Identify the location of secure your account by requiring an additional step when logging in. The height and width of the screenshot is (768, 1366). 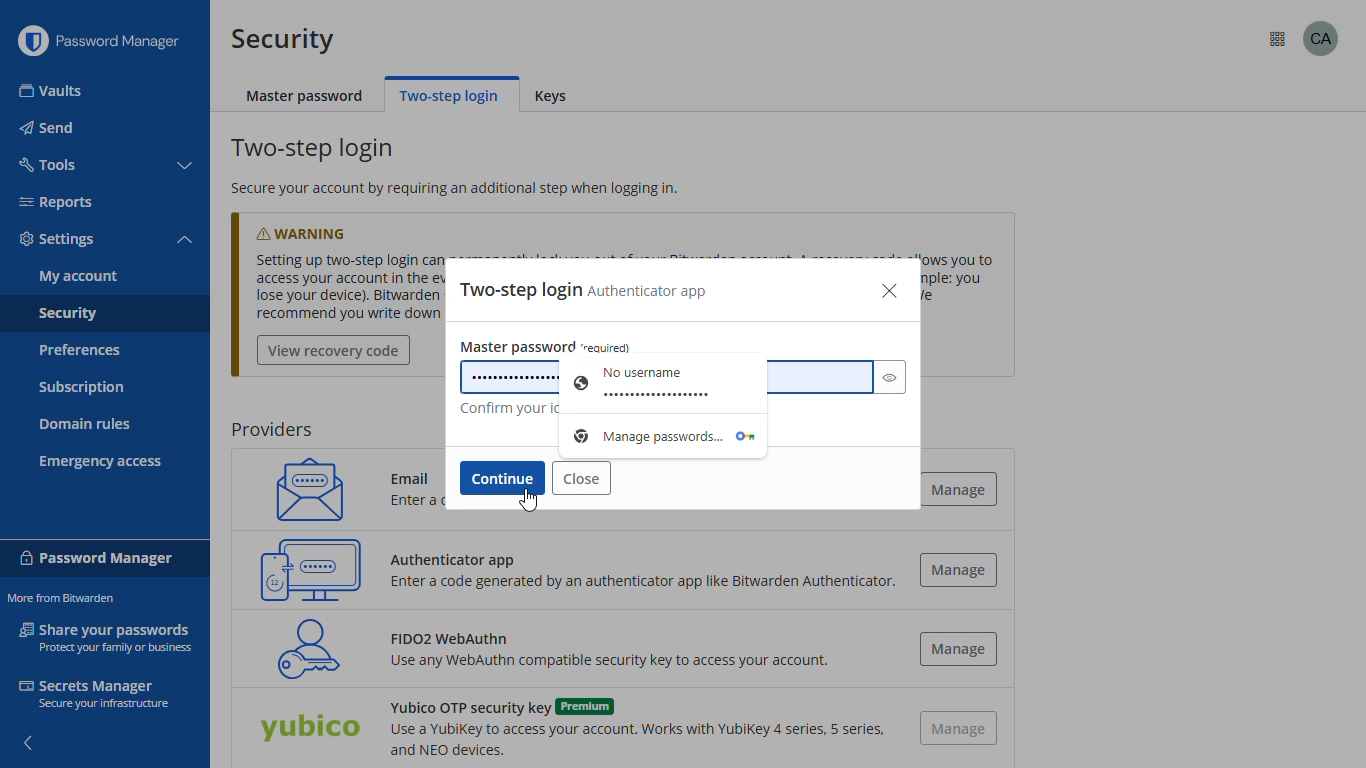
(457, 191).